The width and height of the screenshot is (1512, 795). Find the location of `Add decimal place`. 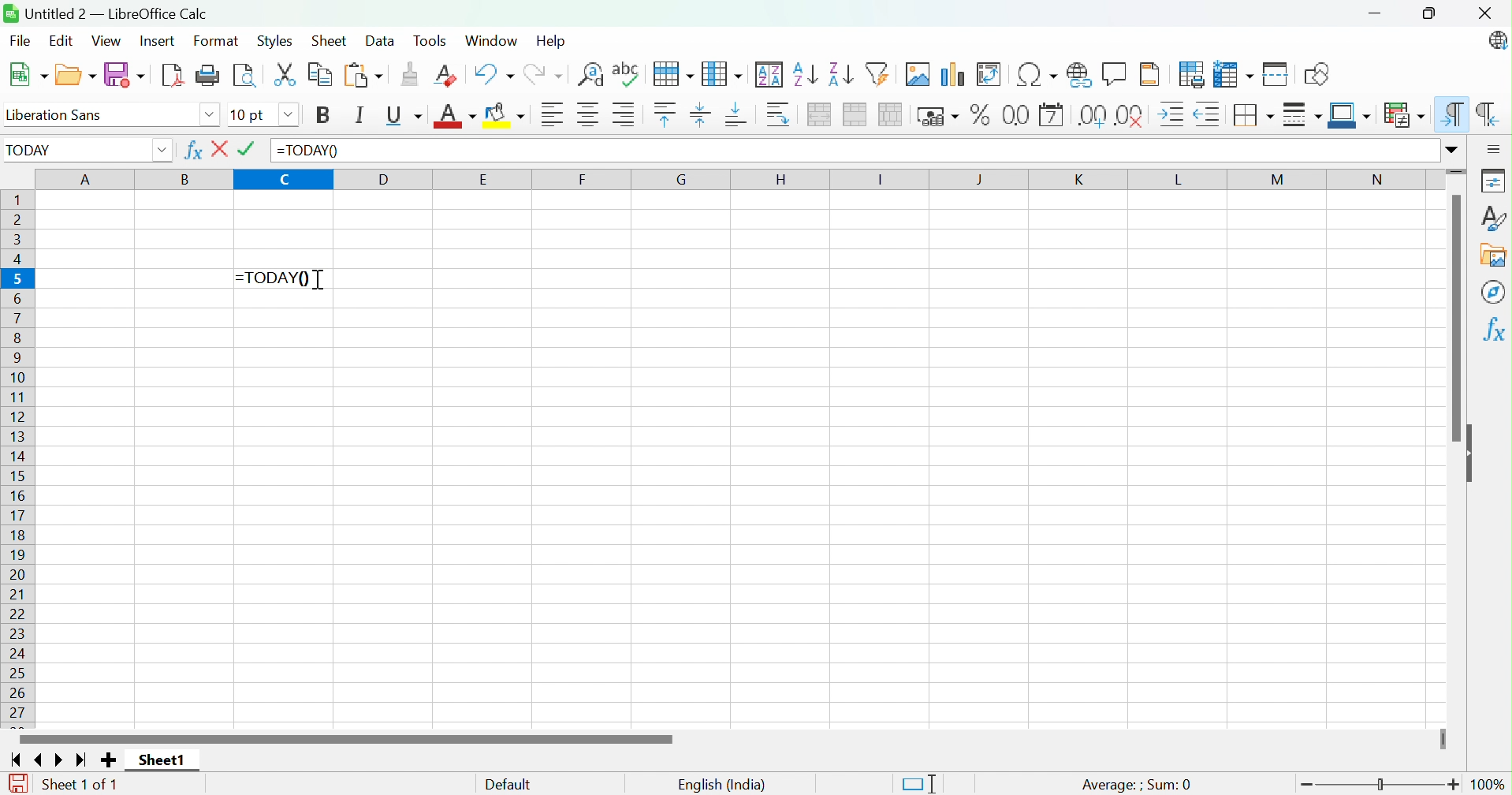

Add decimal place is located at coordinates (1092, 117).